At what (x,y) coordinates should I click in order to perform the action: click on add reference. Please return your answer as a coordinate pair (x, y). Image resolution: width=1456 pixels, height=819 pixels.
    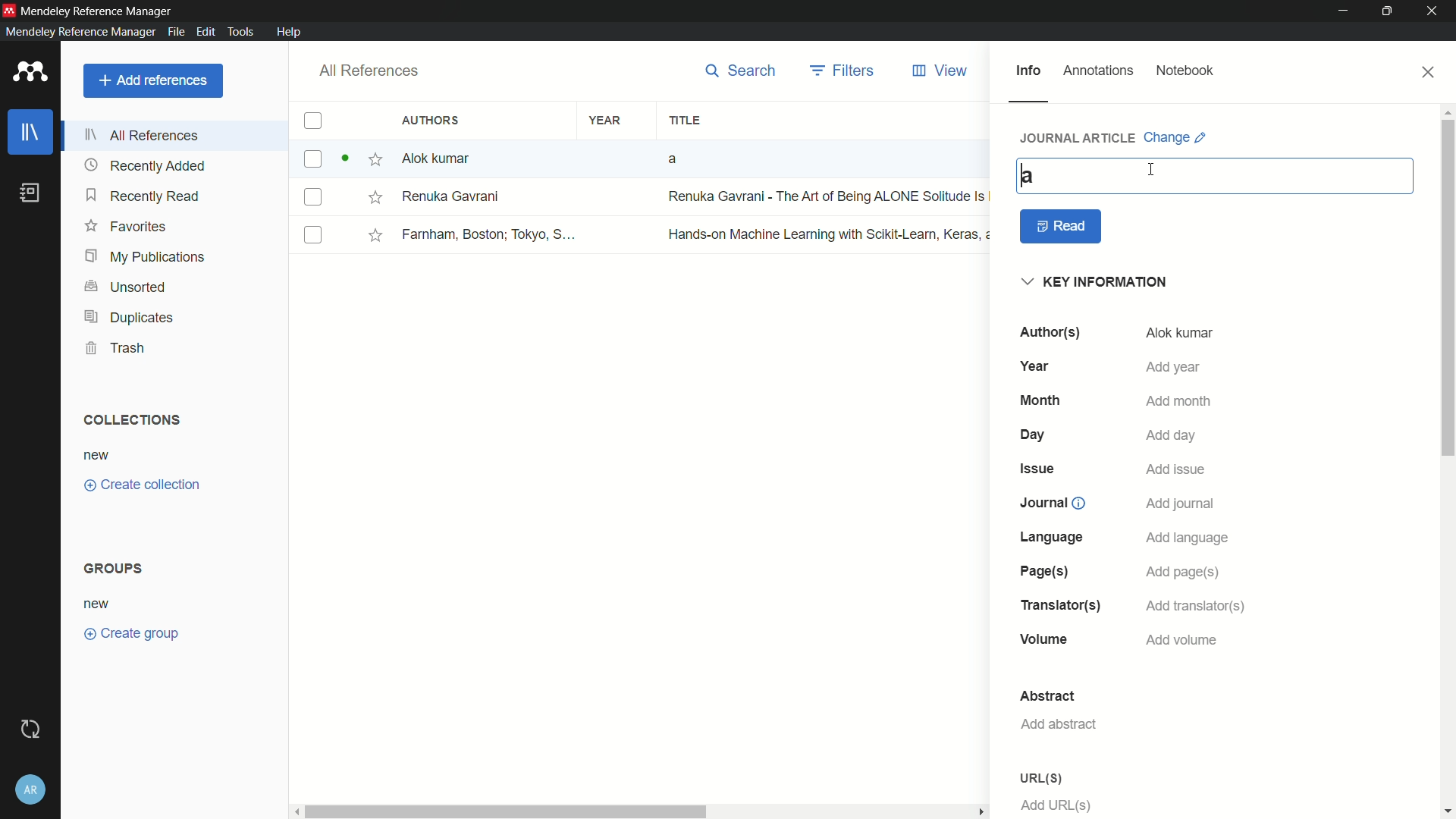
    Looking at the image, I should click on (152, 80).